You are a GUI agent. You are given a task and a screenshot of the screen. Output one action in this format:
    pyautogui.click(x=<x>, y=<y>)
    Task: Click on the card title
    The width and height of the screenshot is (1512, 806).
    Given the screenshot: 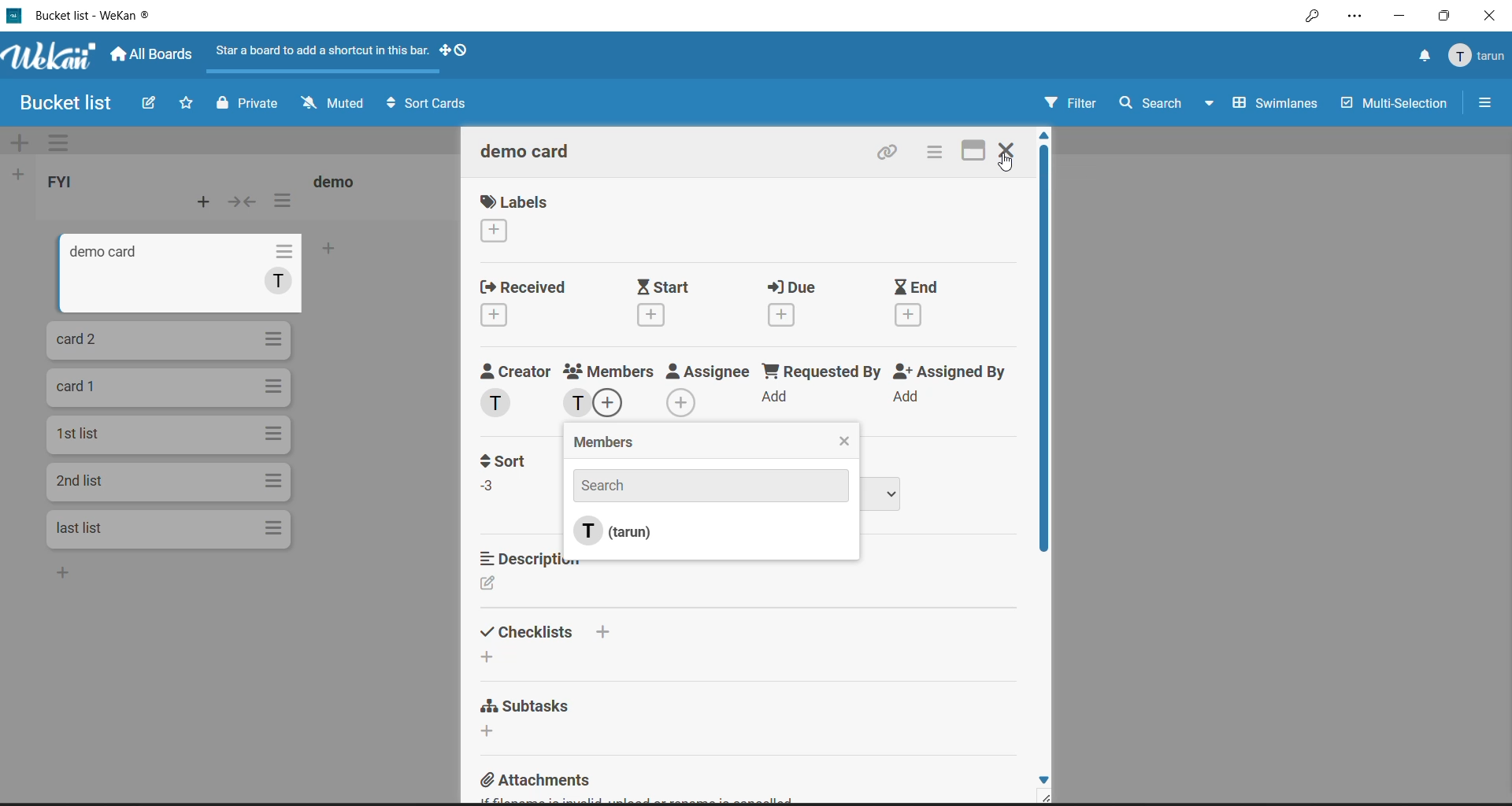 What is the action you would take?
    pyautogui.click(x=94, y=255)
    